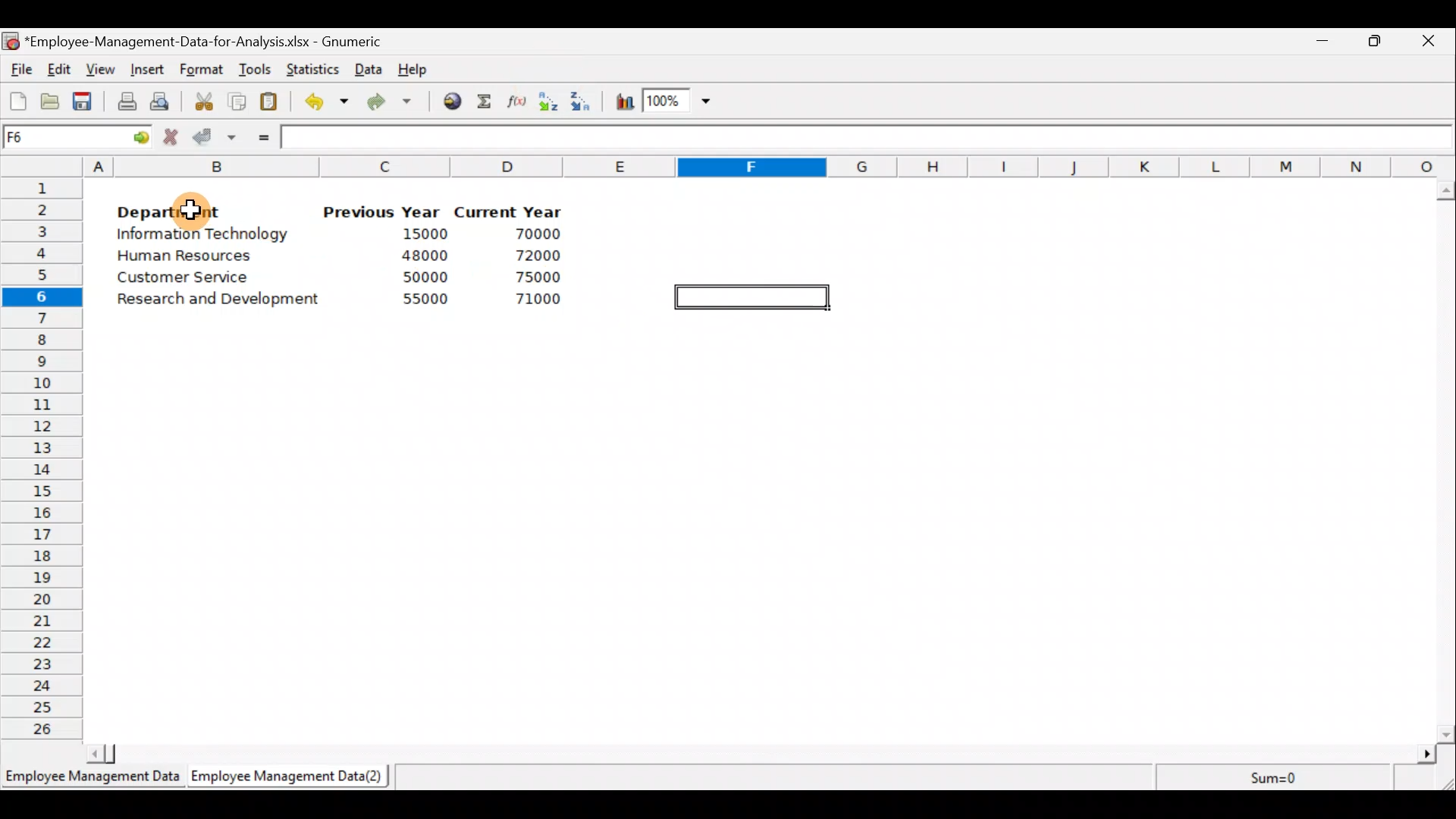  I want to click on Insert a chart, so click(621, 103).